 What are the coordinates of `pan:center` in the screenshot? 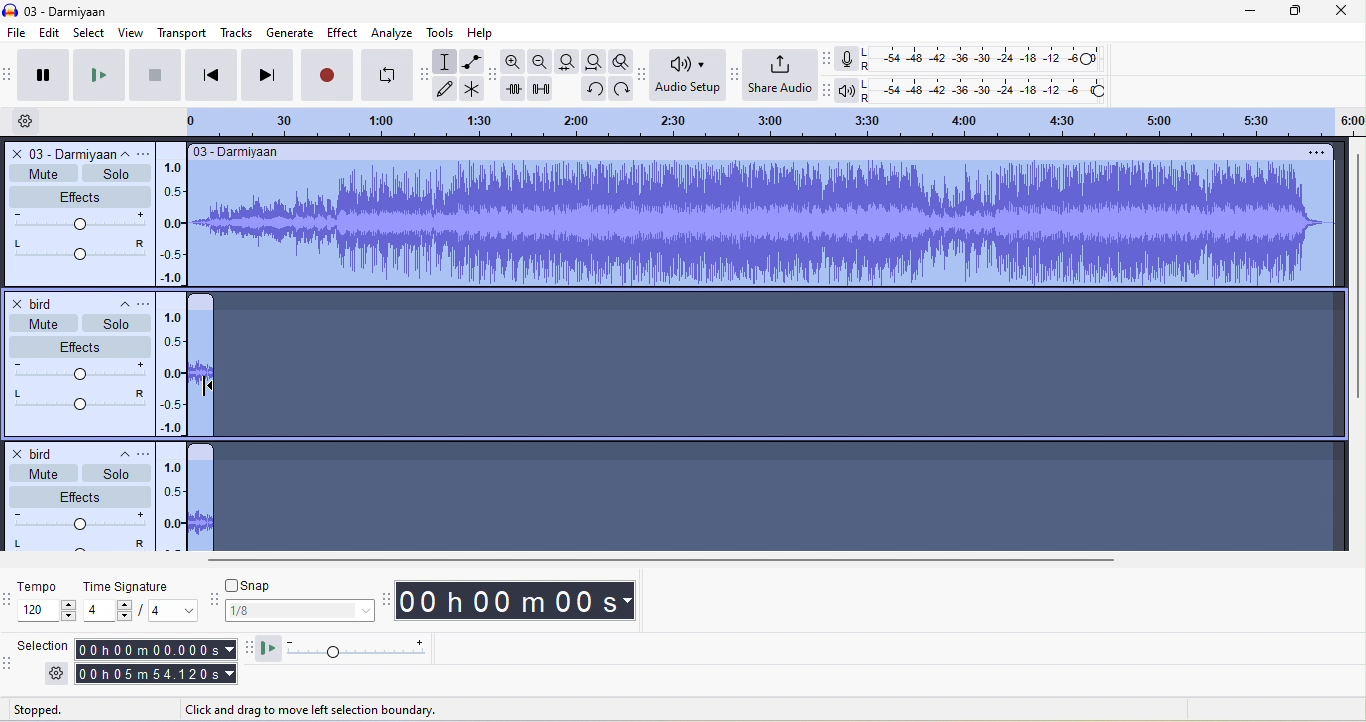 It's located at (77, 545).